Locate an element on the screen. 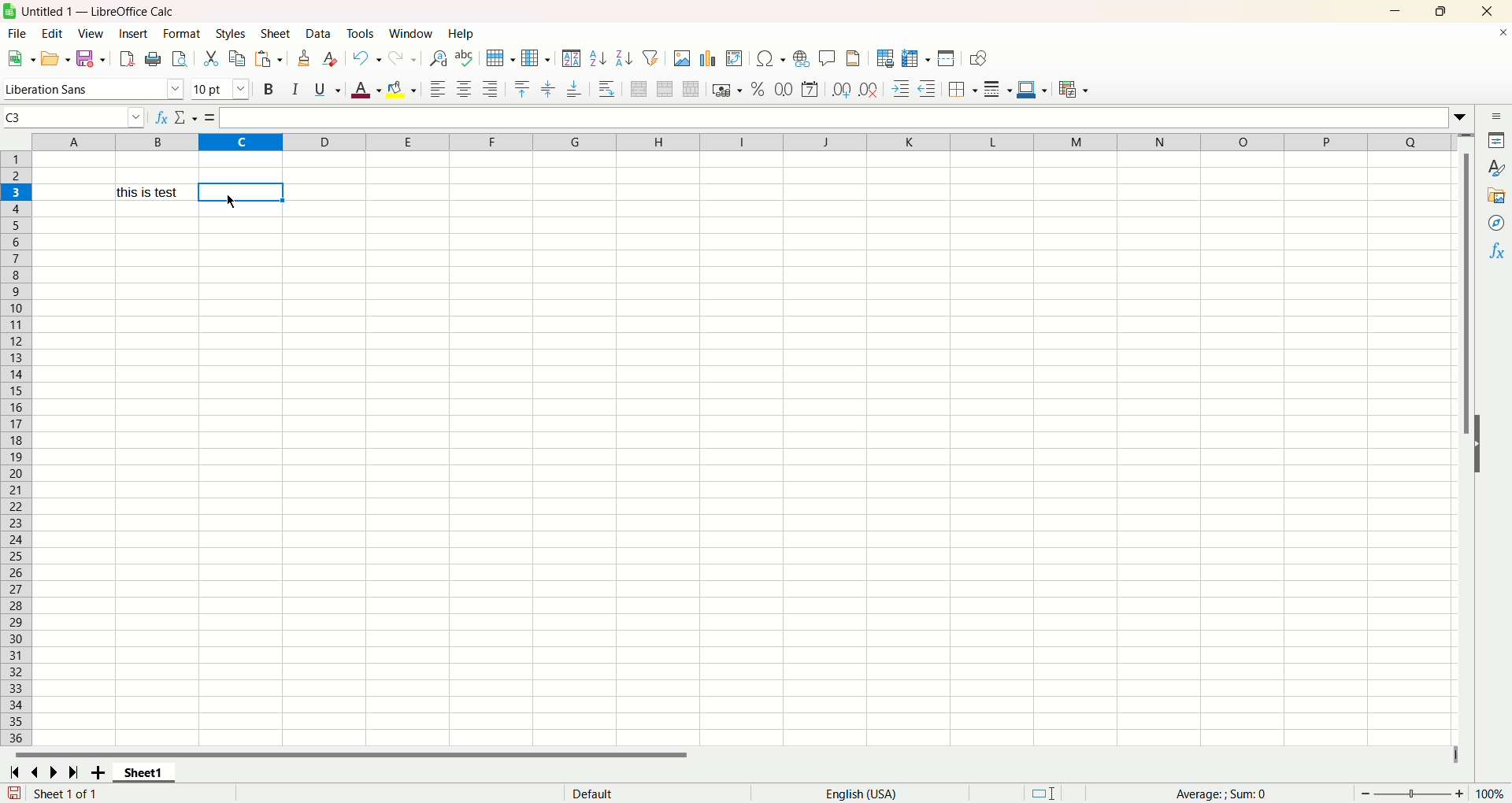 The width and height of the screenshot is (1512, 803). standard selection is located at coordinates (1045, 792).